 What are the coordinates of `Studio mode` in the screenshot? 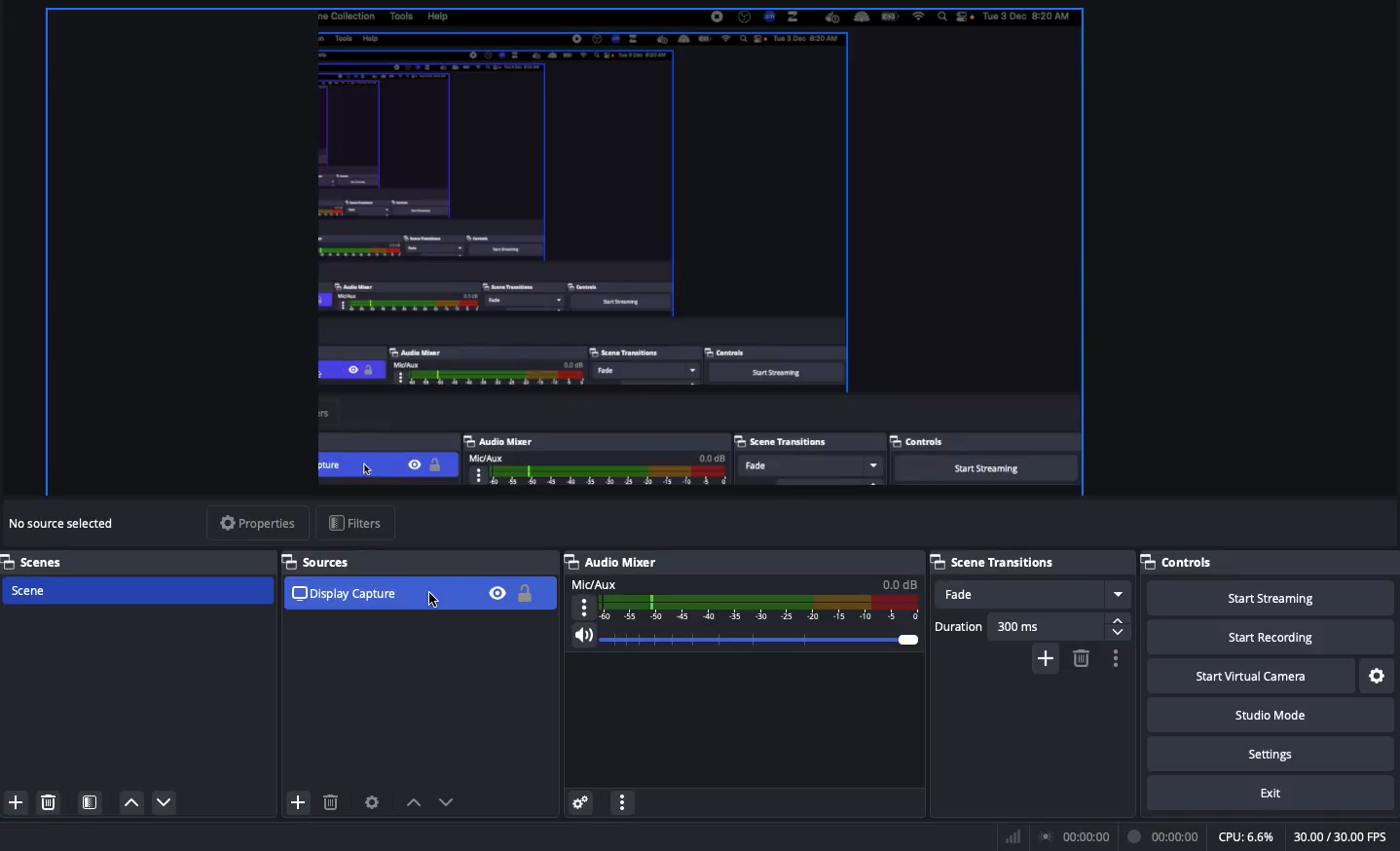 It's located at (1273, 716).